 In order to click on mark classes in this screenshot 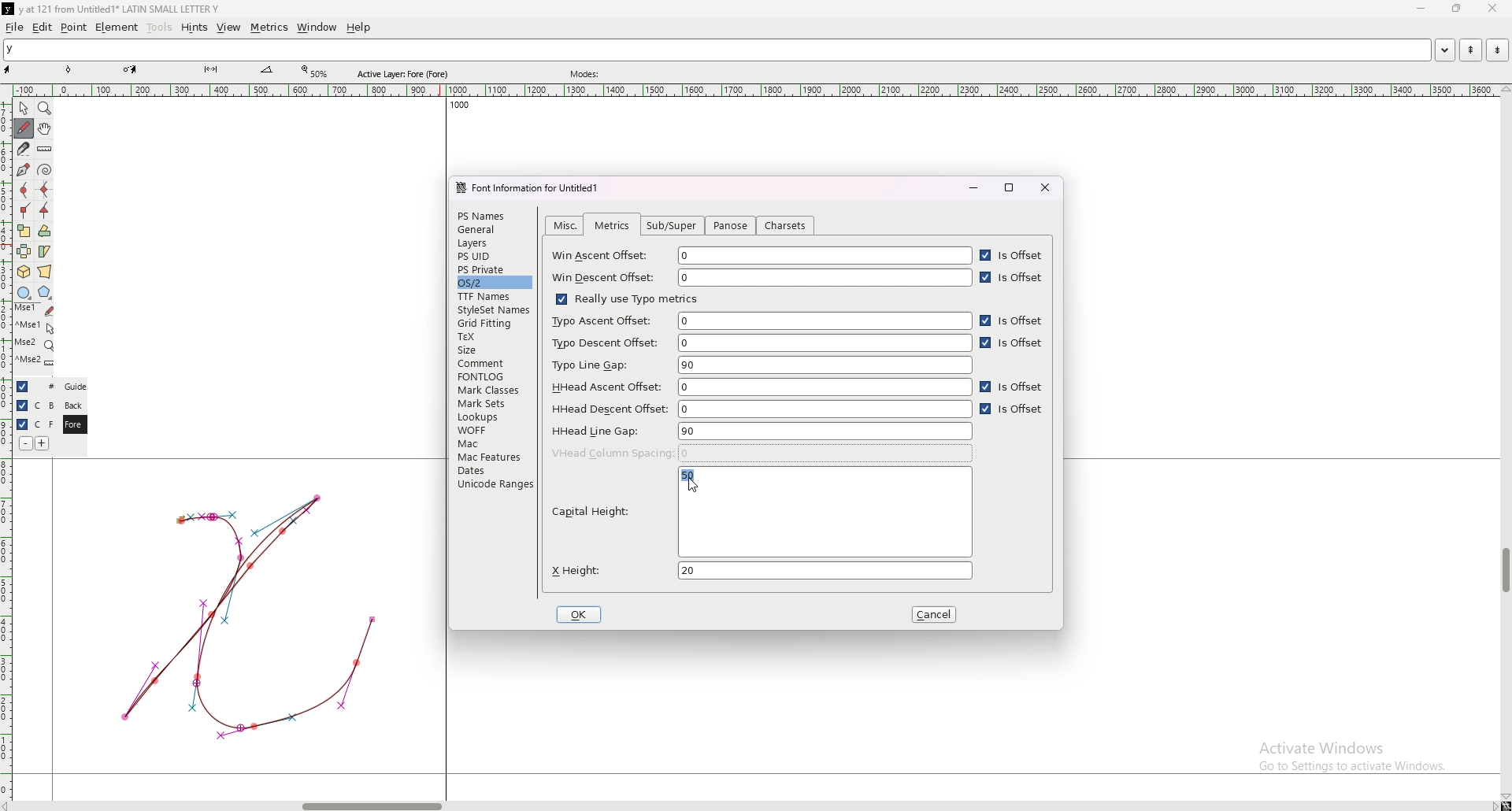, I will do `click(492, 391)`.